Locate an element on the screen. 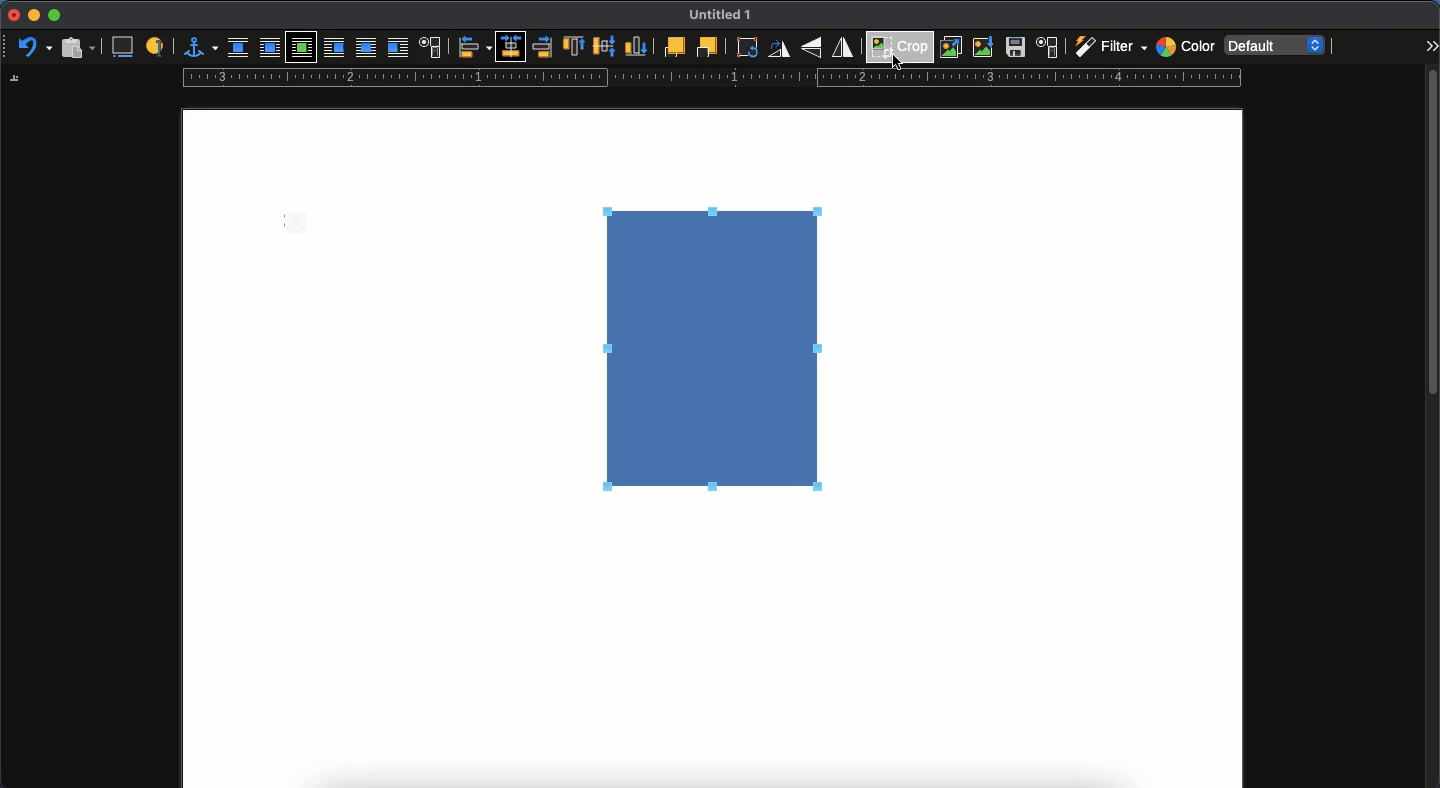  rotate is located at coordinates (744, 47).